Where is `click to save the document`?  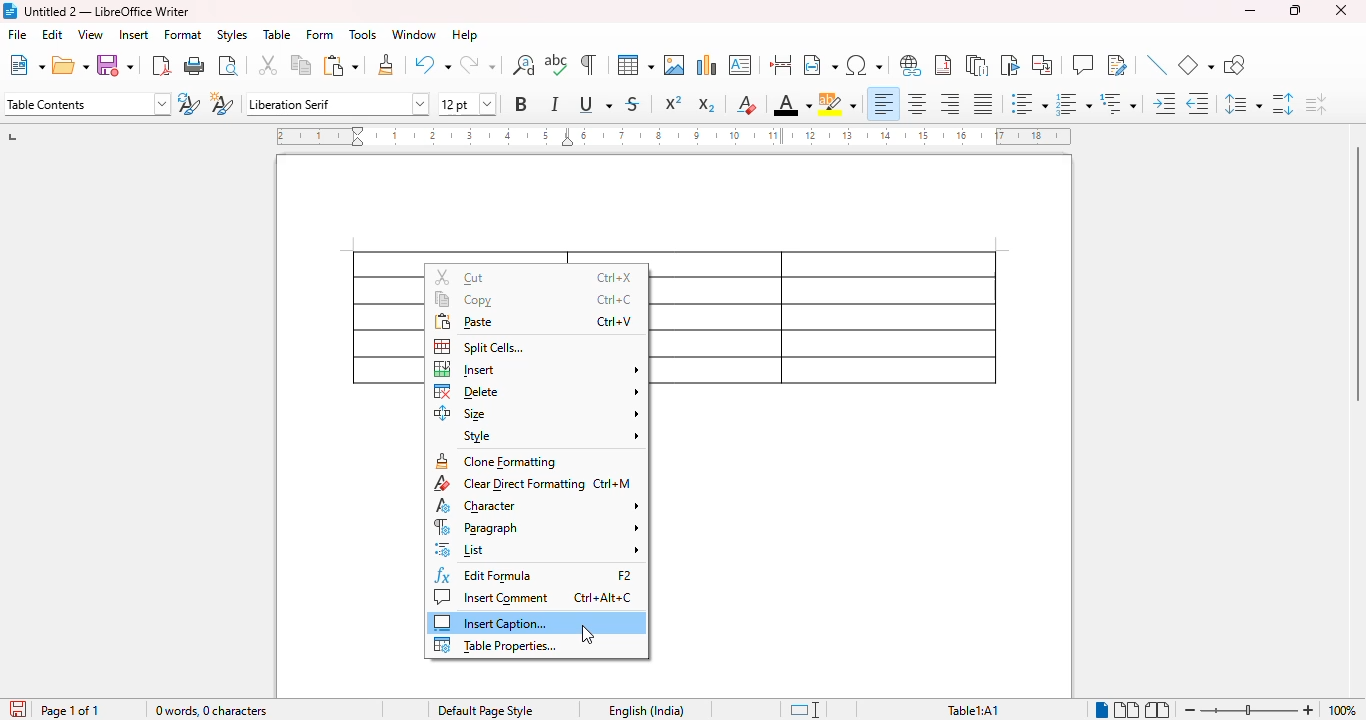 click to save the document is located at coordinates (19, 709).